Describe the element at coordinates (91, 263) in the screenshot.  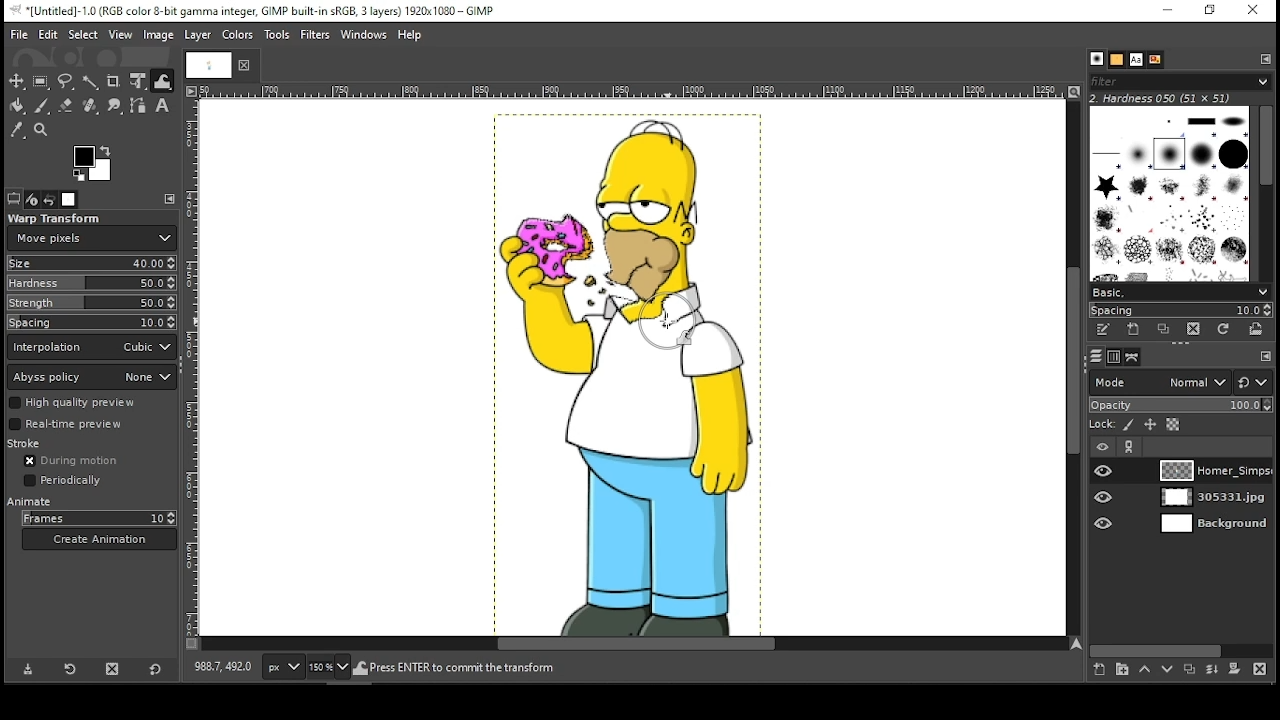
I see `size` at that location.